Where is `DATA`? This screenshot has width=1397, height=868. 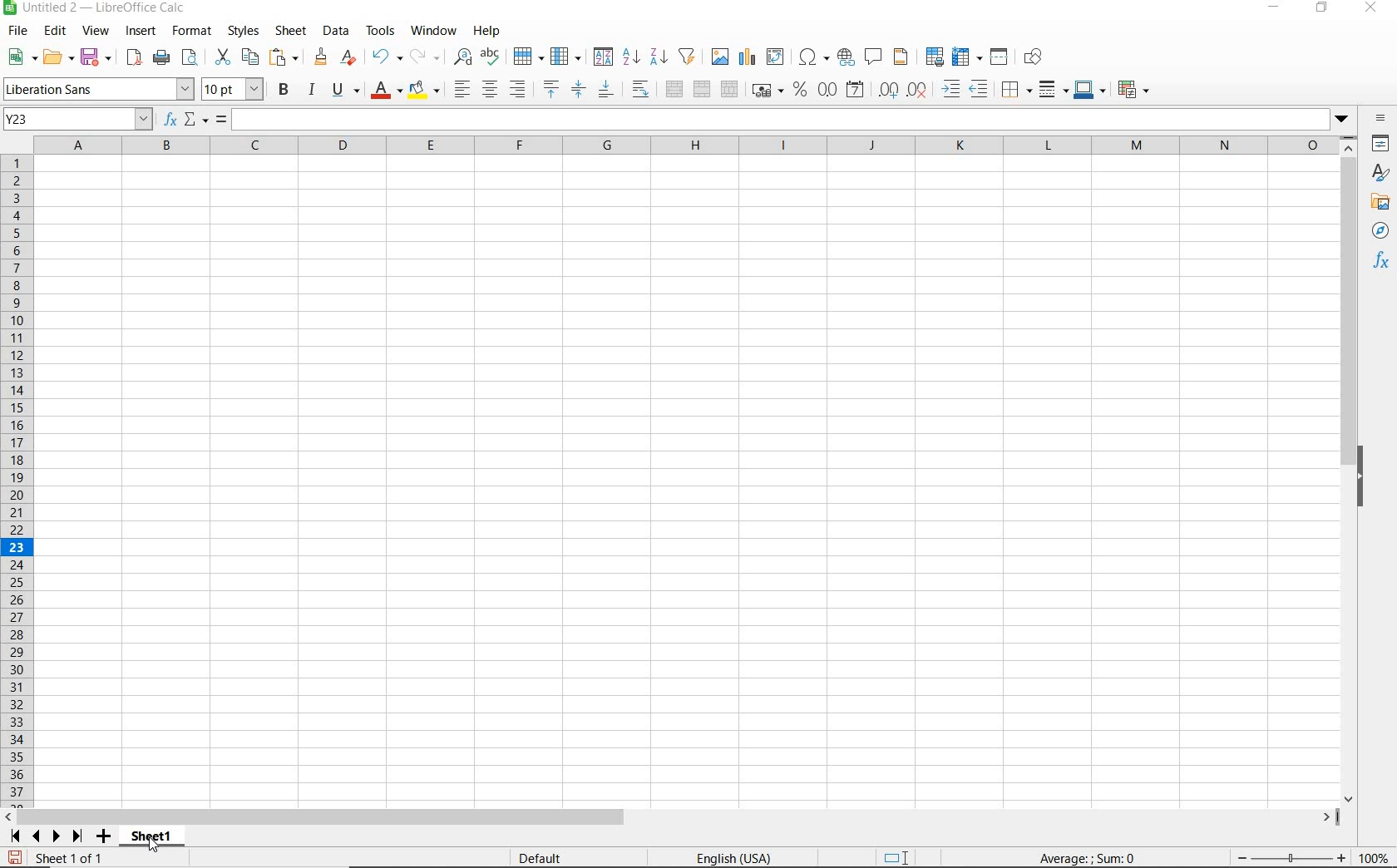
DATA is located at coordinates (336, 32).